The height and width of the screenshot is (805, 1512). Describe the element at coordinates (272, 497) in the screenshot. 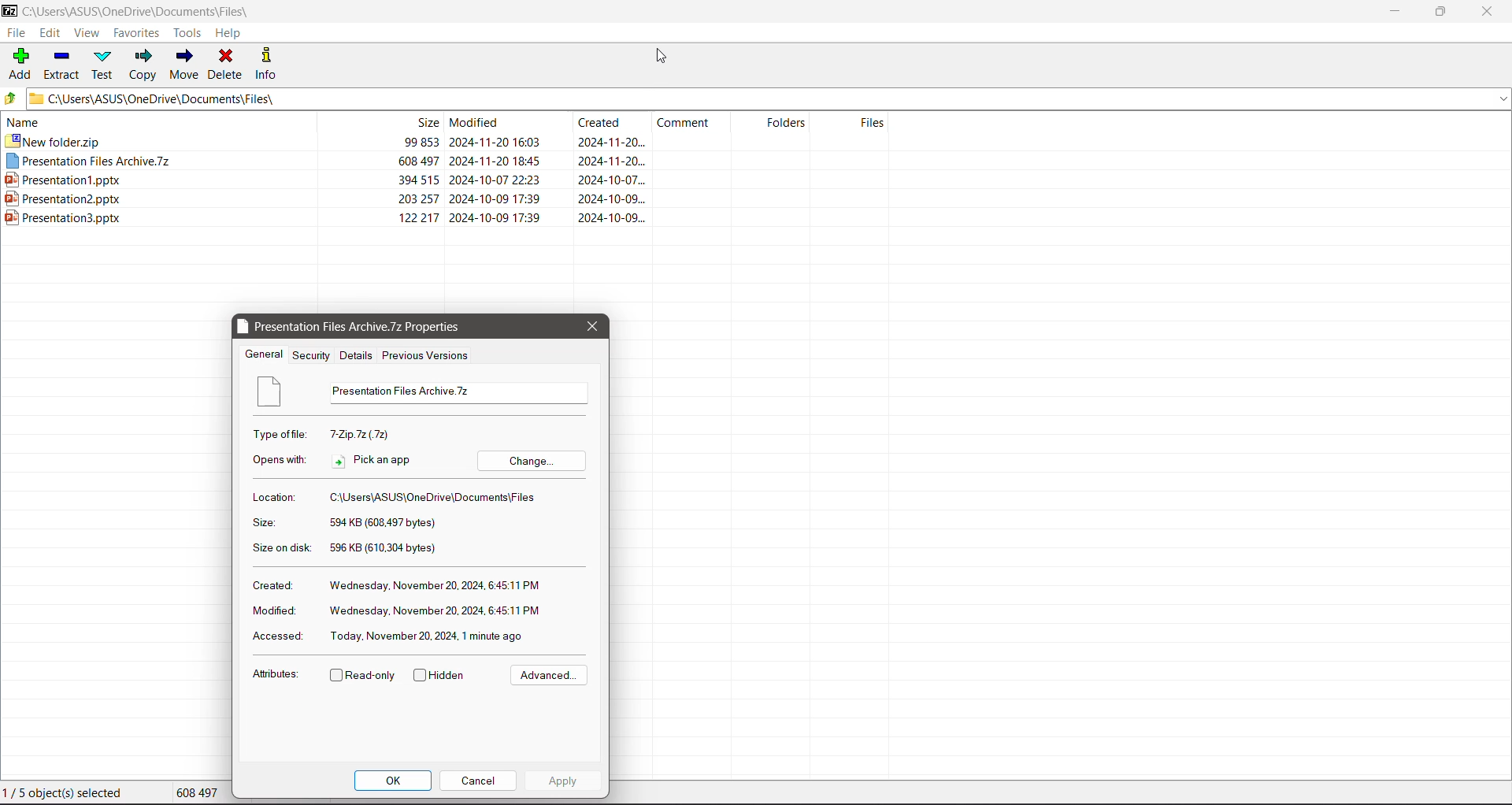

I see `Location` at that location.